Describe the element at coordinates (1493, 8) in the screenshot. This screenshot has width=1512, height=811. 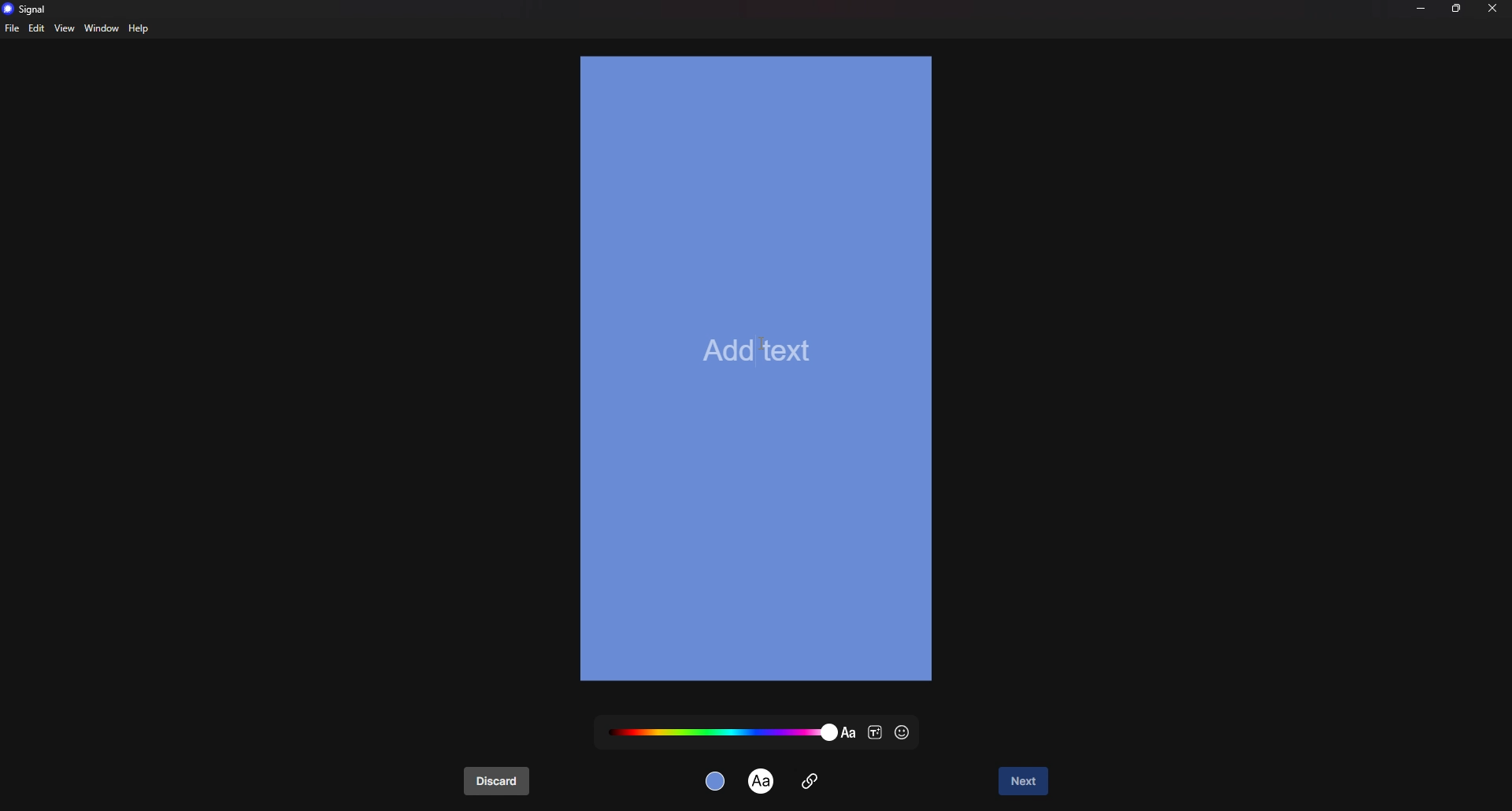
I see `close` at that location.